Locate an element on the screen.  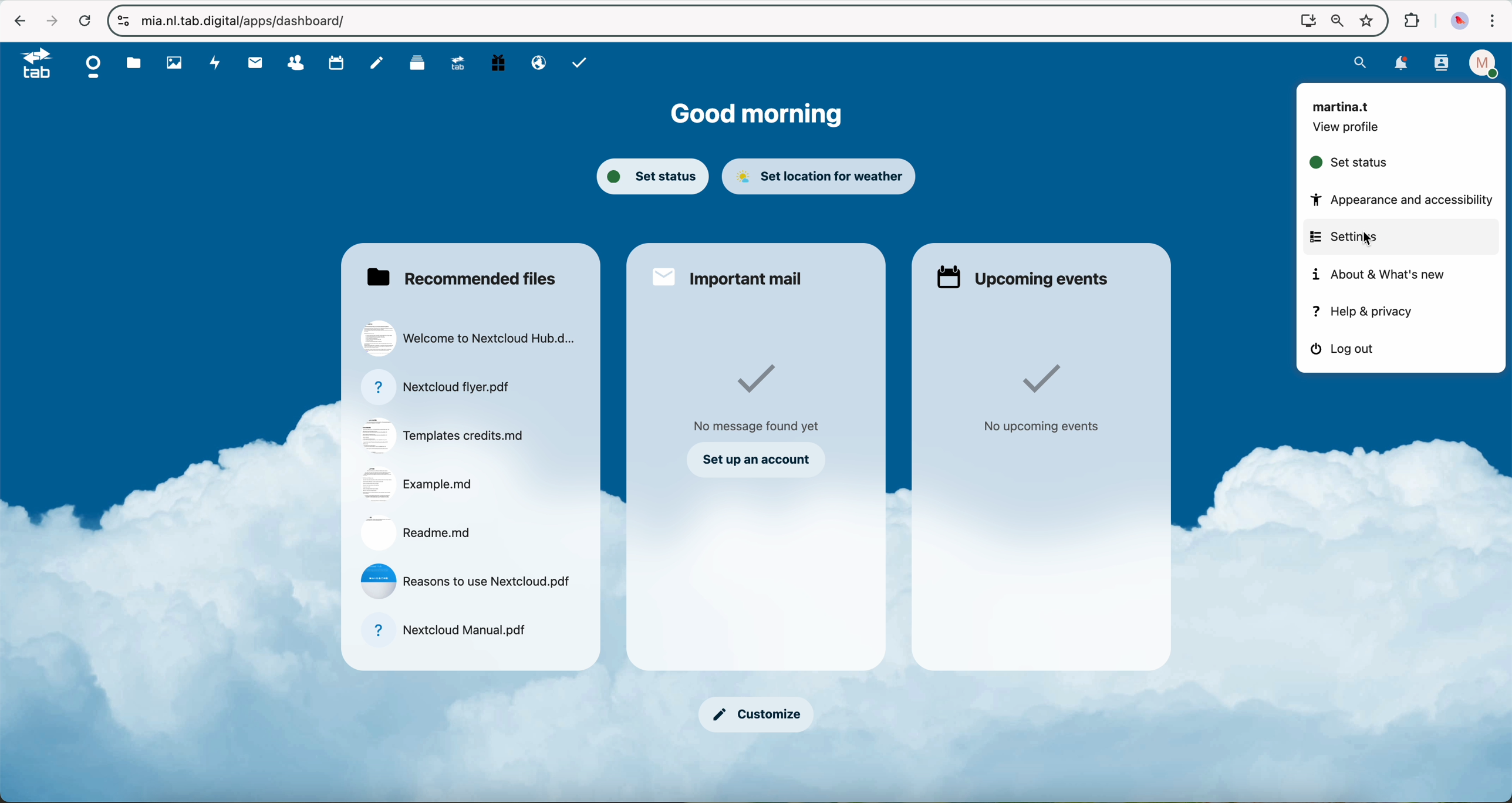
file is located at coordinates (439, 387).